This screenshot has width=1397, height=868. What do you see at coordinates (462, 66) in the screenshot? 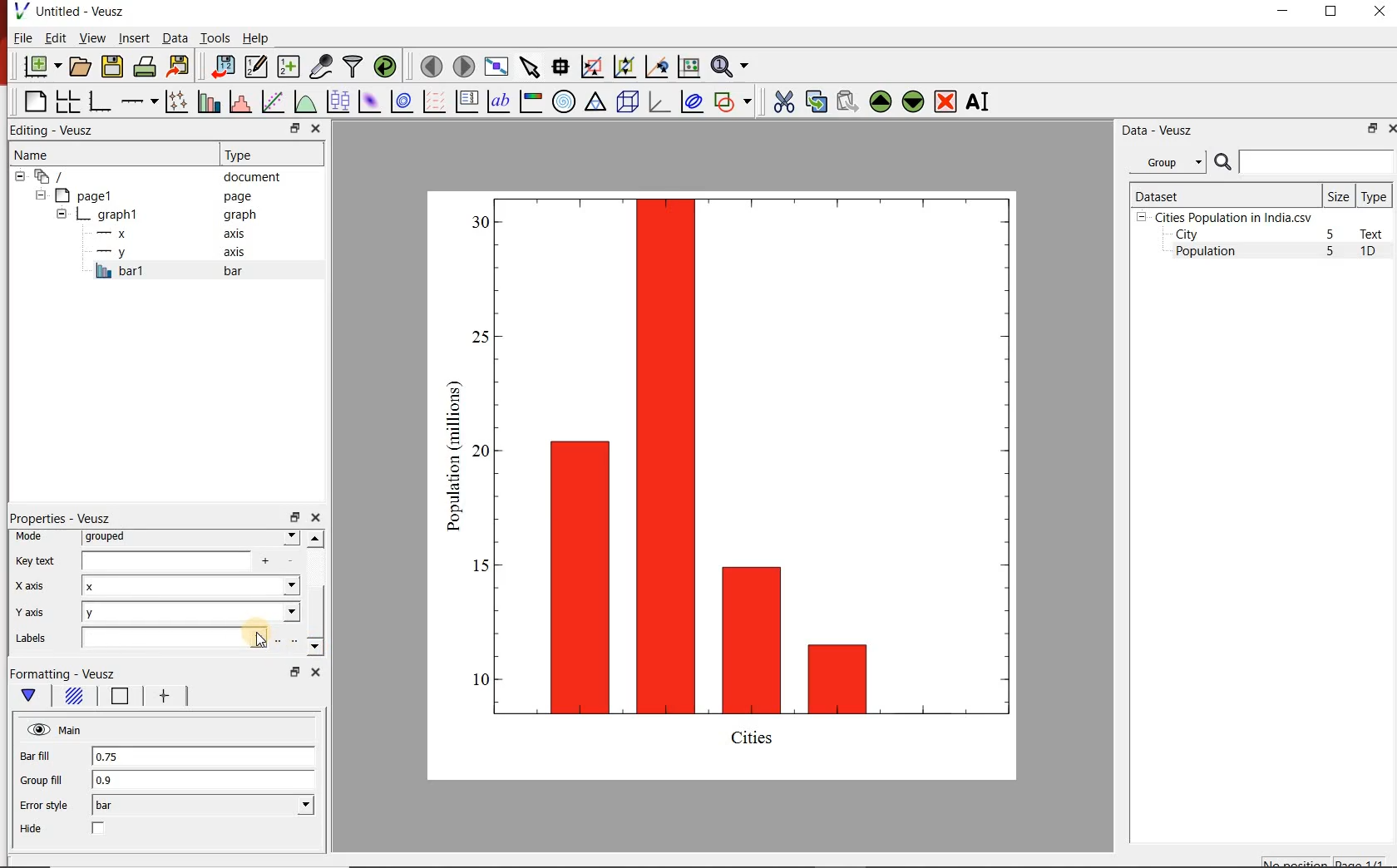
I see `move to the next page` at bounding box center [462, 66].